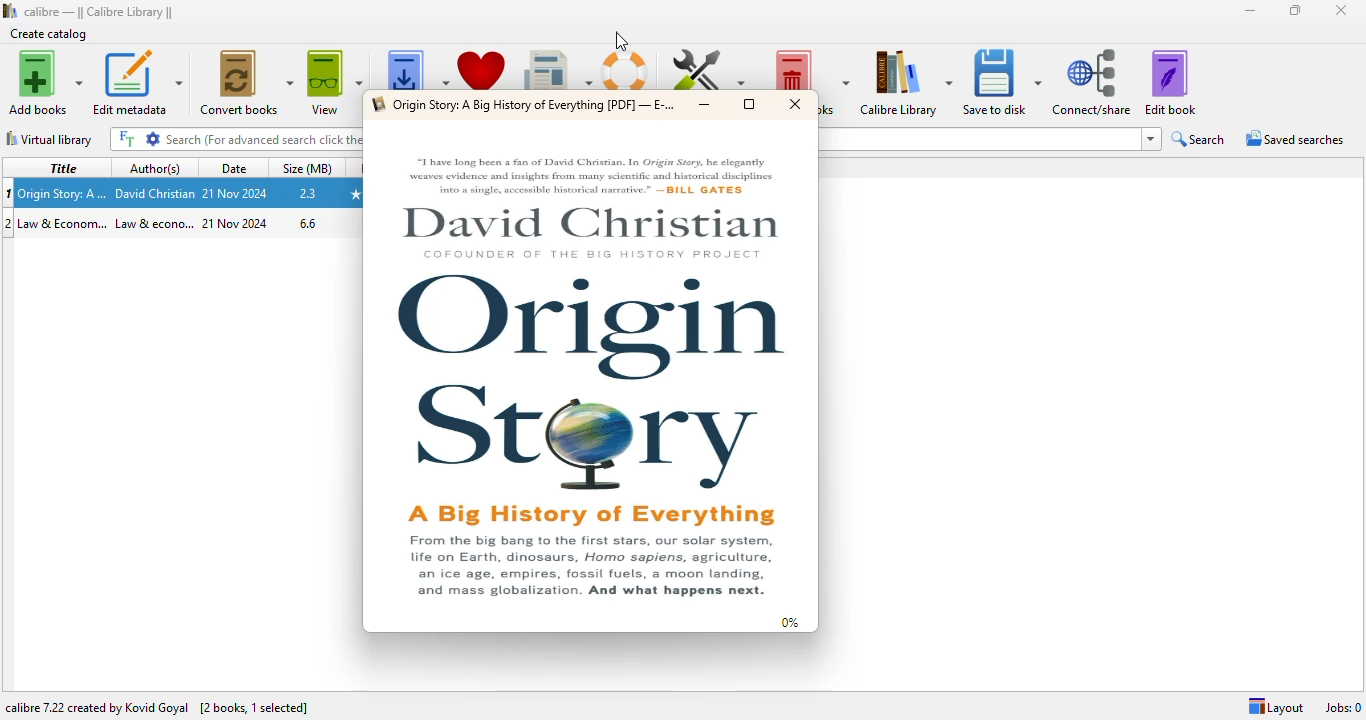  Describe the element at coordinates (353, 195) in the screenshot. I see `ratings` at that location.